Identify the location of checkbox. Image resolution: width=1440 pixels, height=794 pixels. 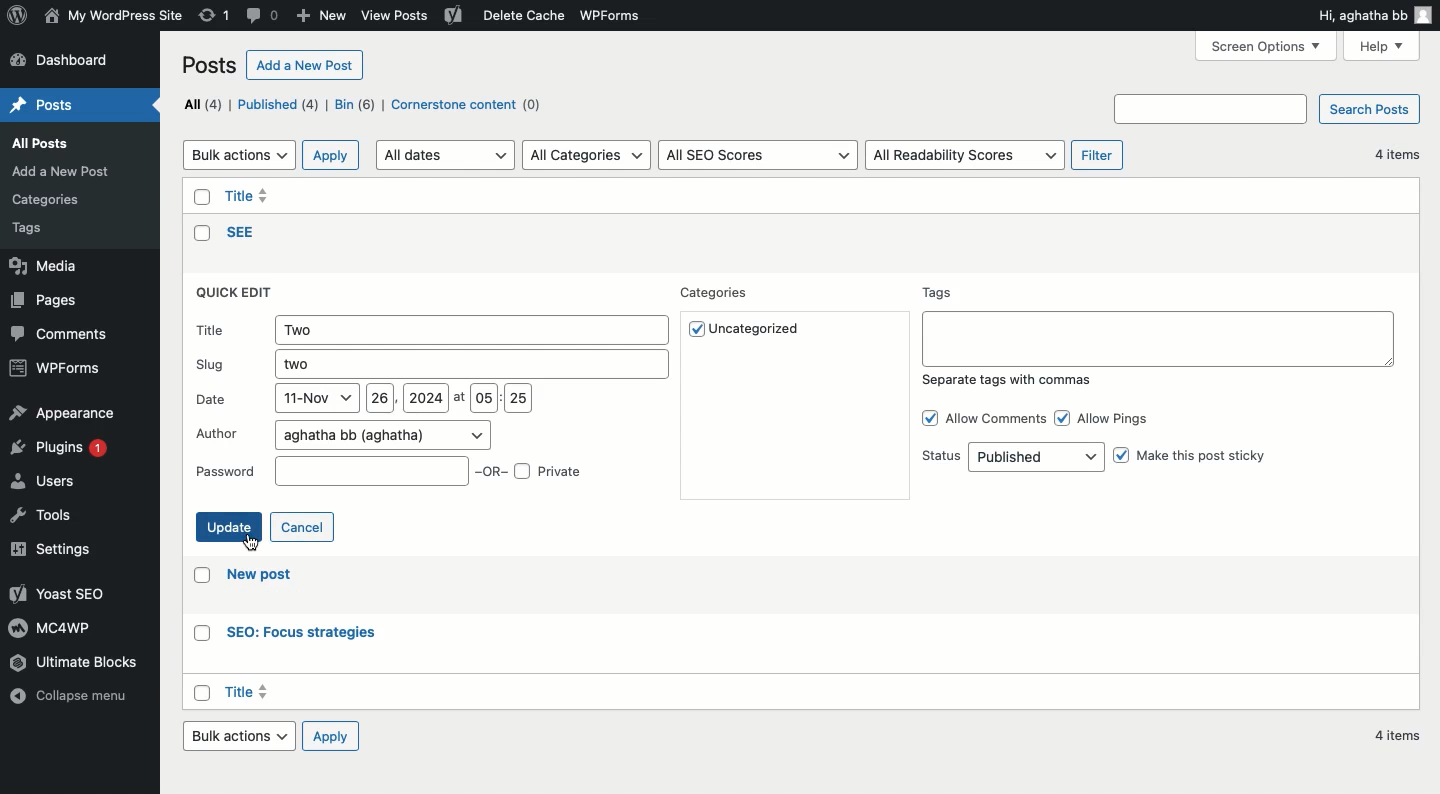
(198, 577).